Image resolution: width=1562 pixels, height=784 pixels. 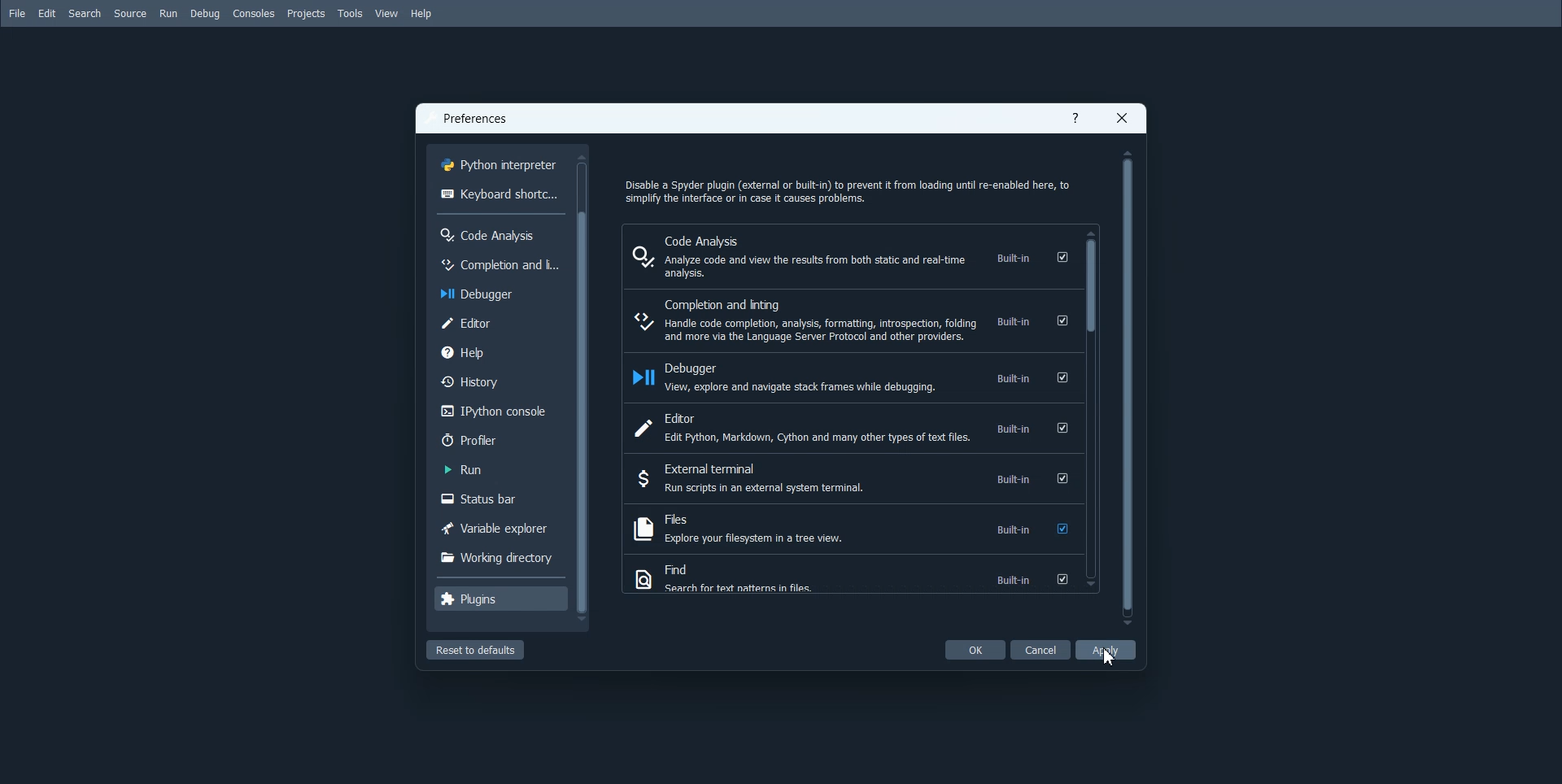 I want to click on Plugins, so click(x=500, y=598).